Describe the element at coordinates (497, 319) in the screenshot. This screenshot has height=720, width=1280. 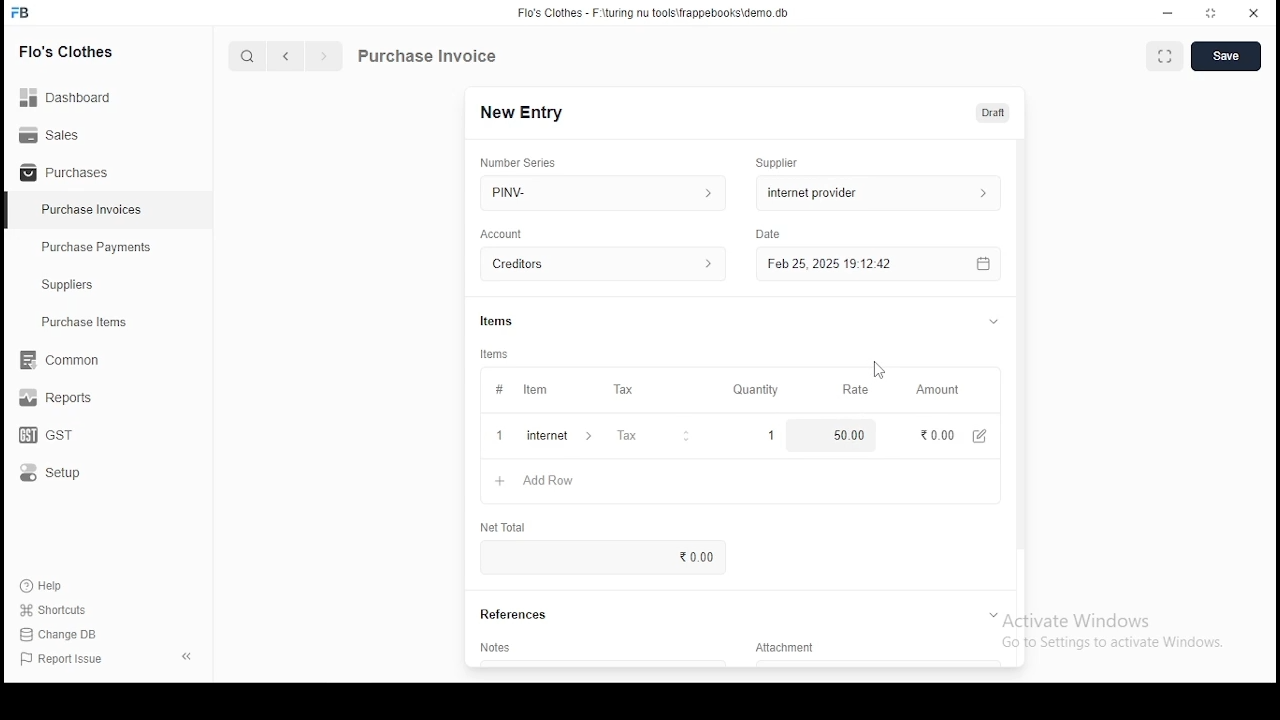
I see `Items` at that location.